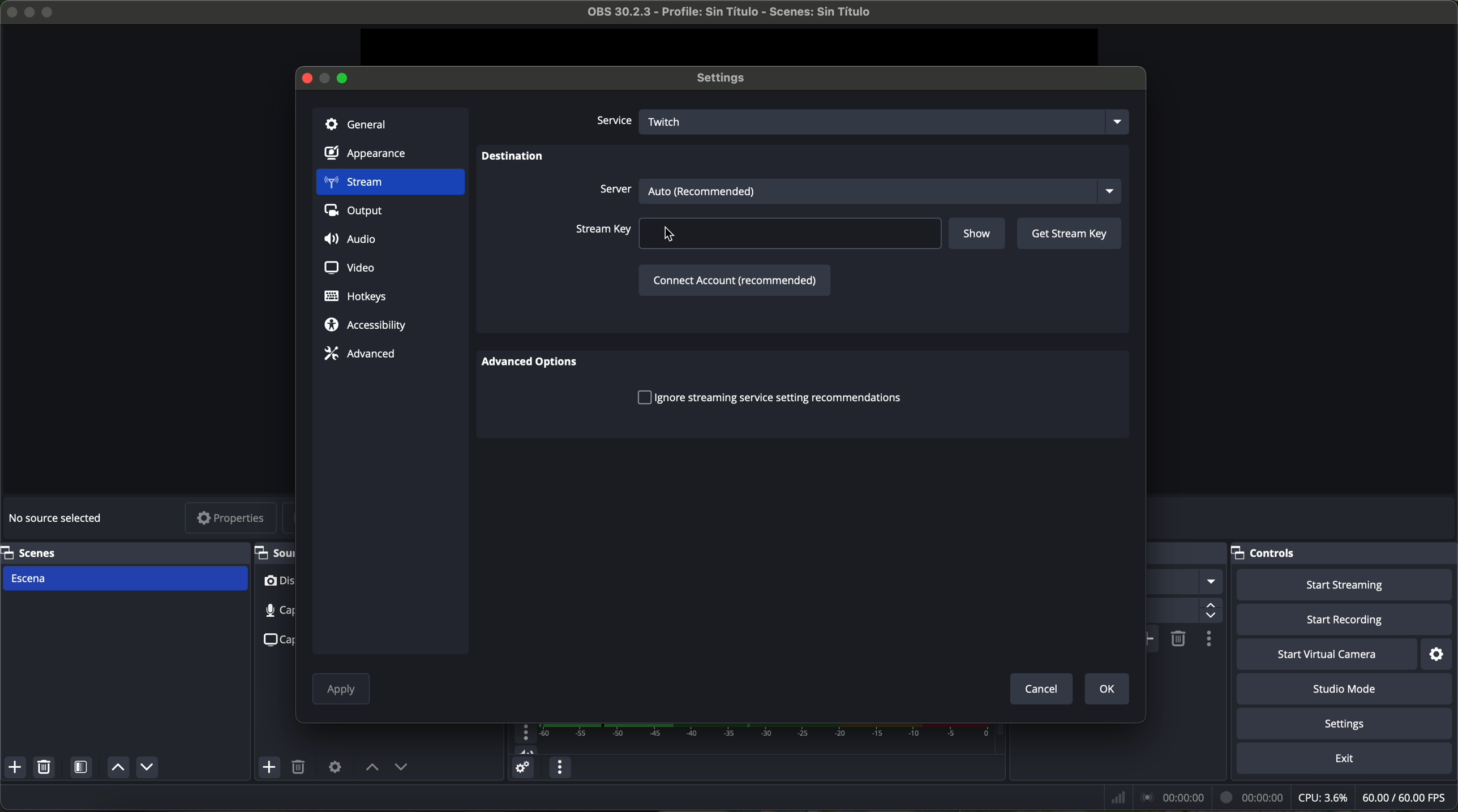 The width and height of the screenshot is (1458, 812). Describe the element at coordinates (726, 79) in the screenshot. I see `settings` at that location.